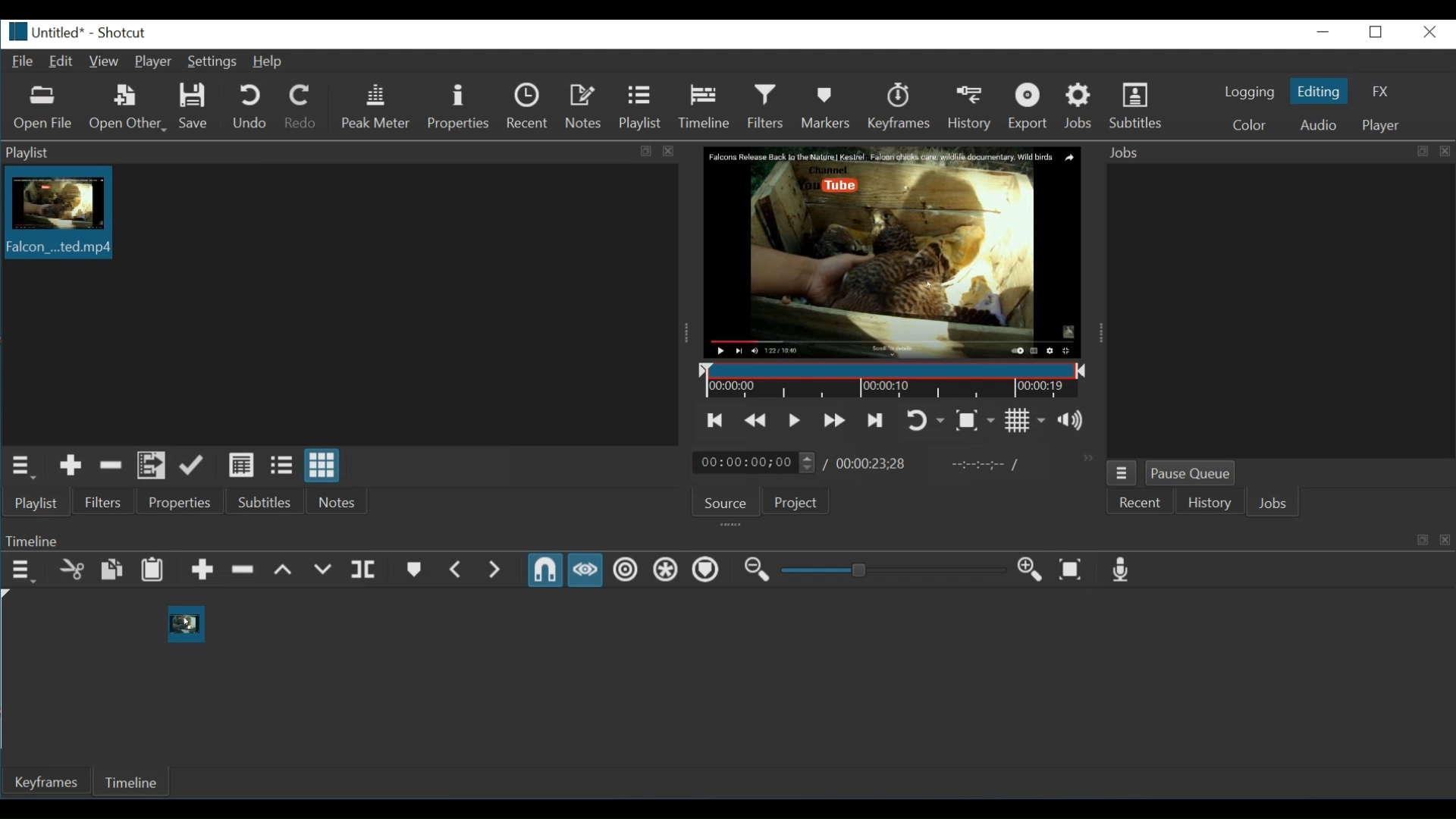 Image resolution: width=1456 pixels, height=819 pixels. What do you see at coordinates (704, 570) in the screenshot?
I see `Ripple markers` at bounding box center [704, 570].